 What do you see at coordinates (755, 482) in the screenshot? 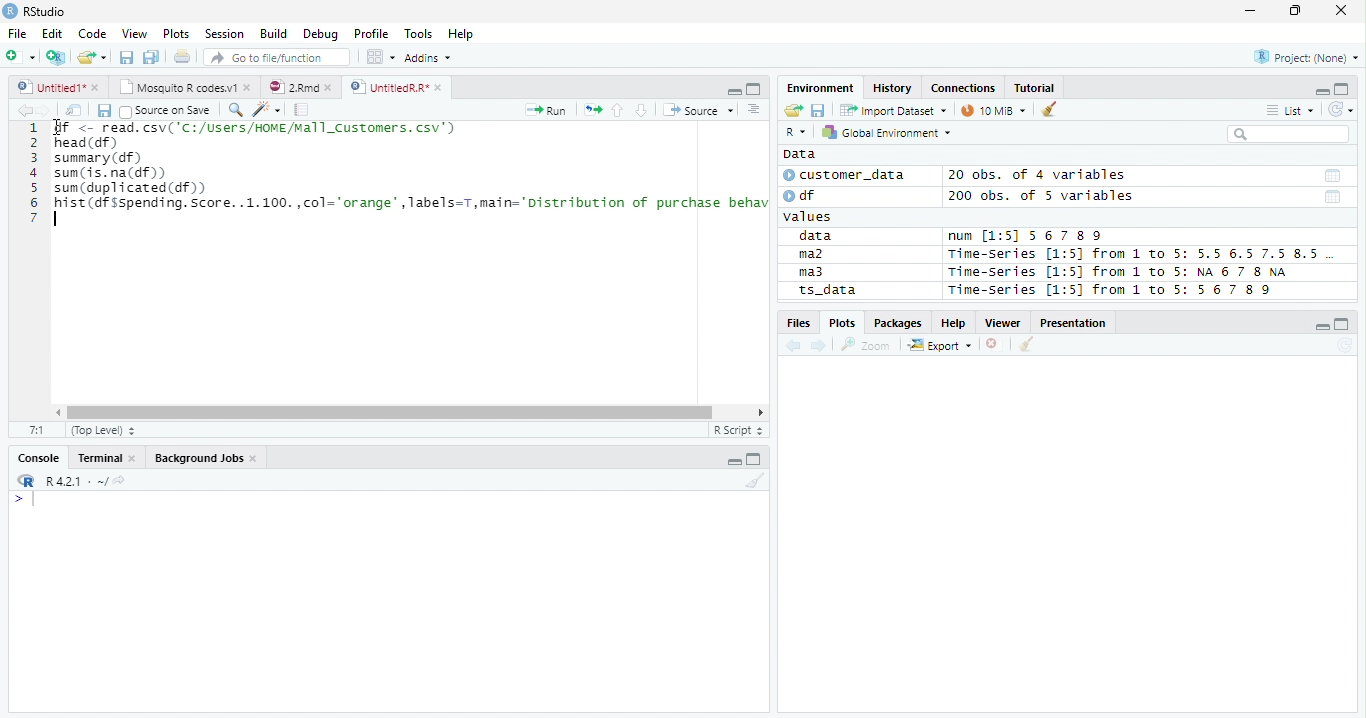
I see `Clean` at bounding box center [755, 482].